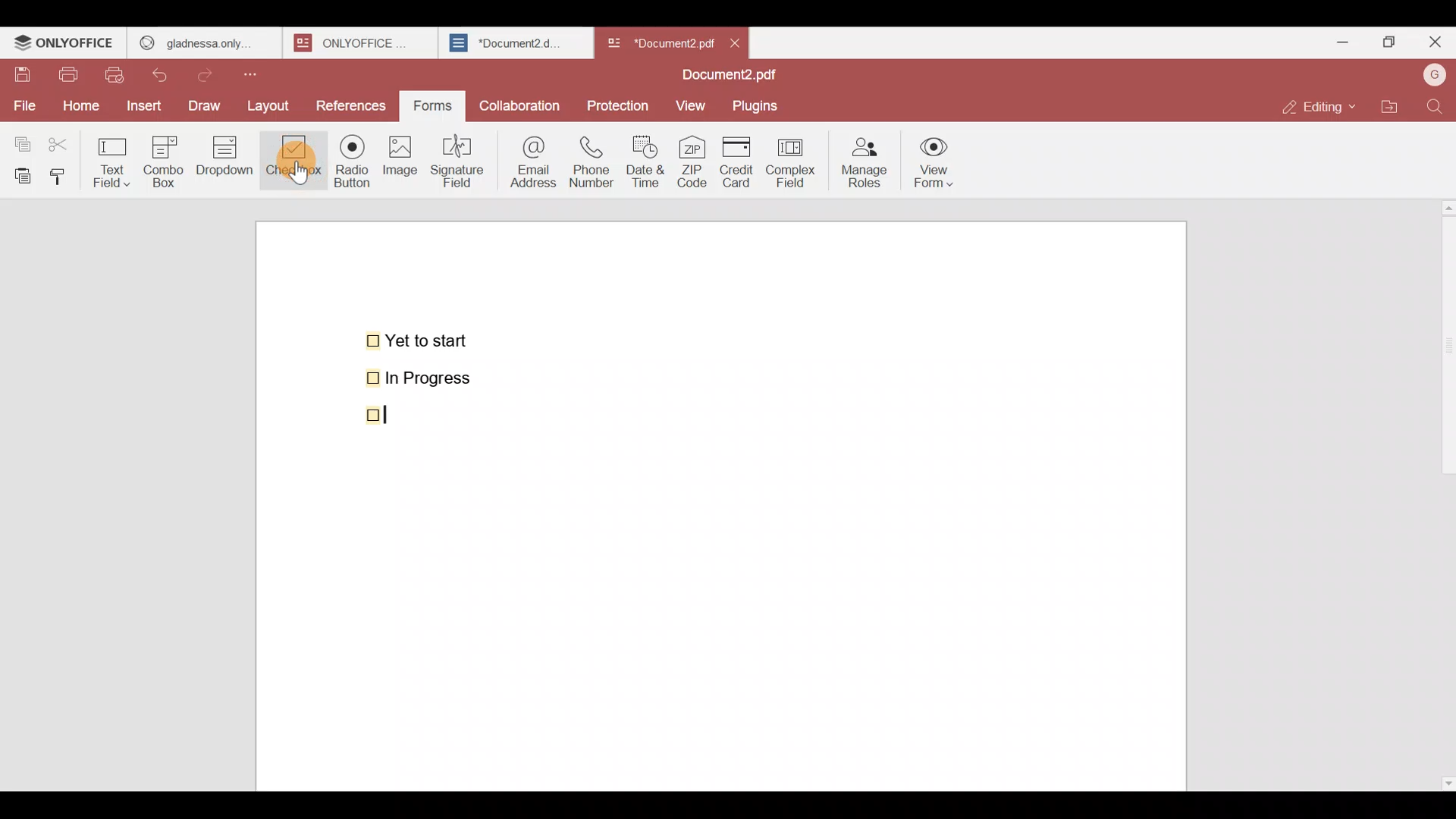 This screenshot has height=819, width=1456. What do you see at coordinates (1434, 45) in the screenshot?
I see `Close` at bounding box center [1434, 45].